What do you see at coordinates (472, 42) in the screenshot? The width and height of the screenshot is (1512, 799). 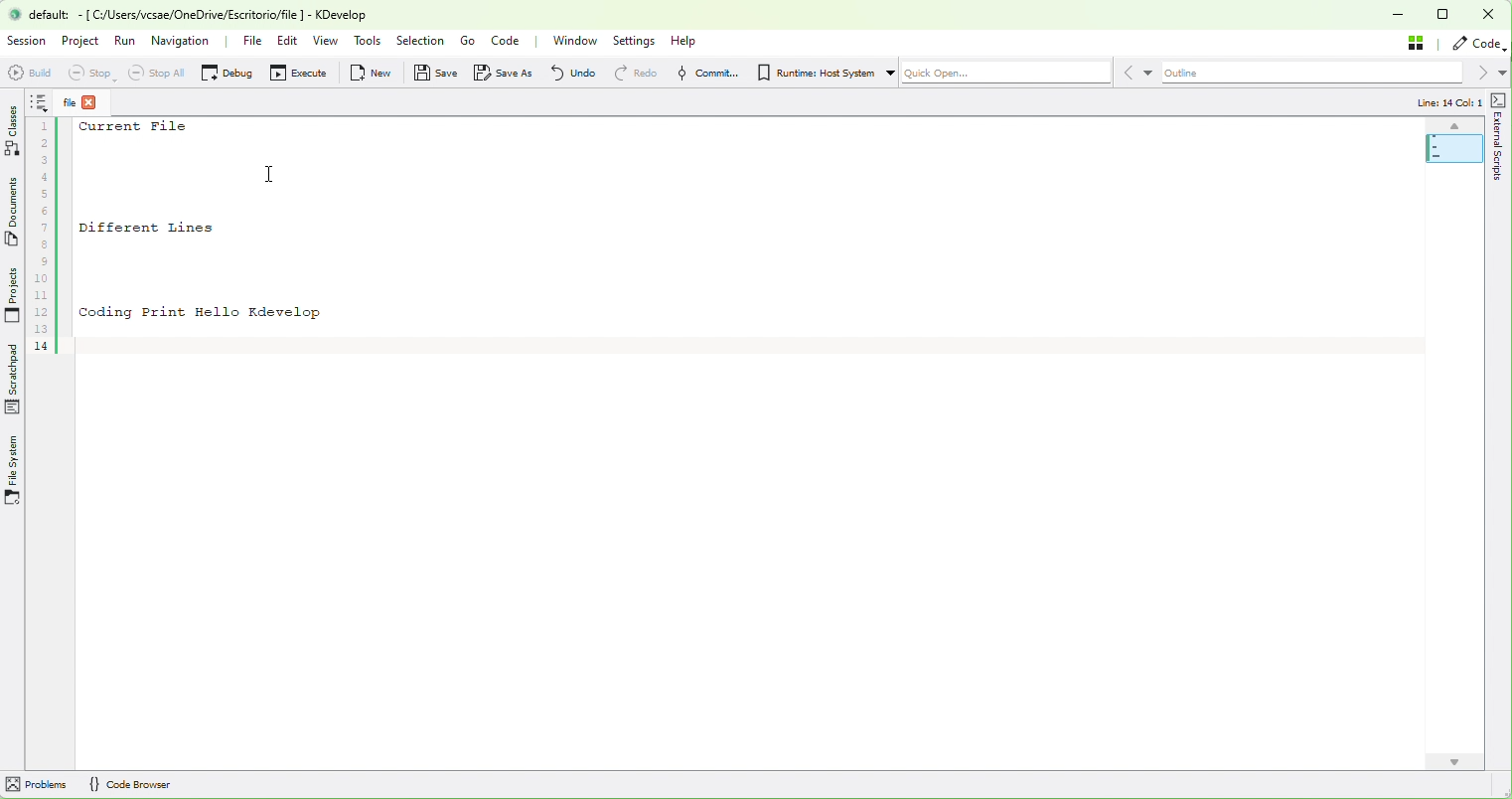 I see `Go` at bounding box center [472, 42].